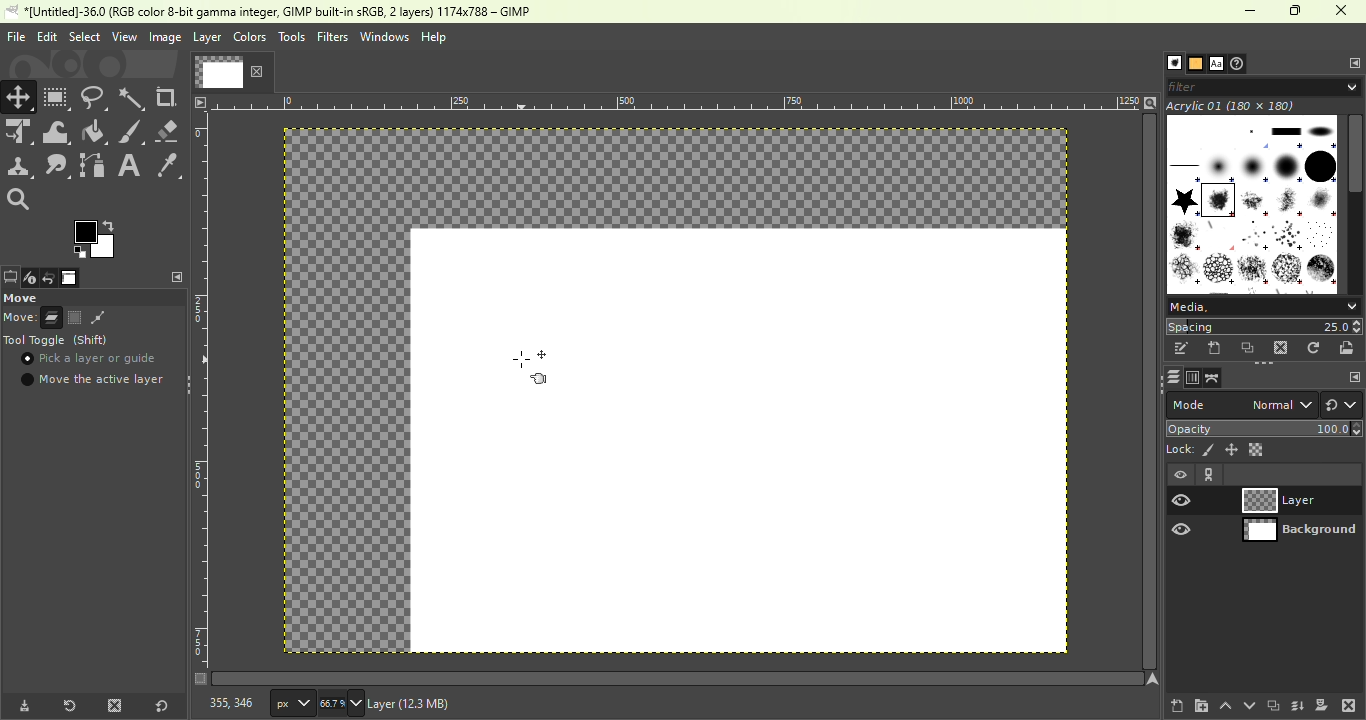 The image size is (1366, 720). What do you see at coordinates (114, 704) in the screenshot?
I see `Delete tool preset` at bounding box center [114, 704].